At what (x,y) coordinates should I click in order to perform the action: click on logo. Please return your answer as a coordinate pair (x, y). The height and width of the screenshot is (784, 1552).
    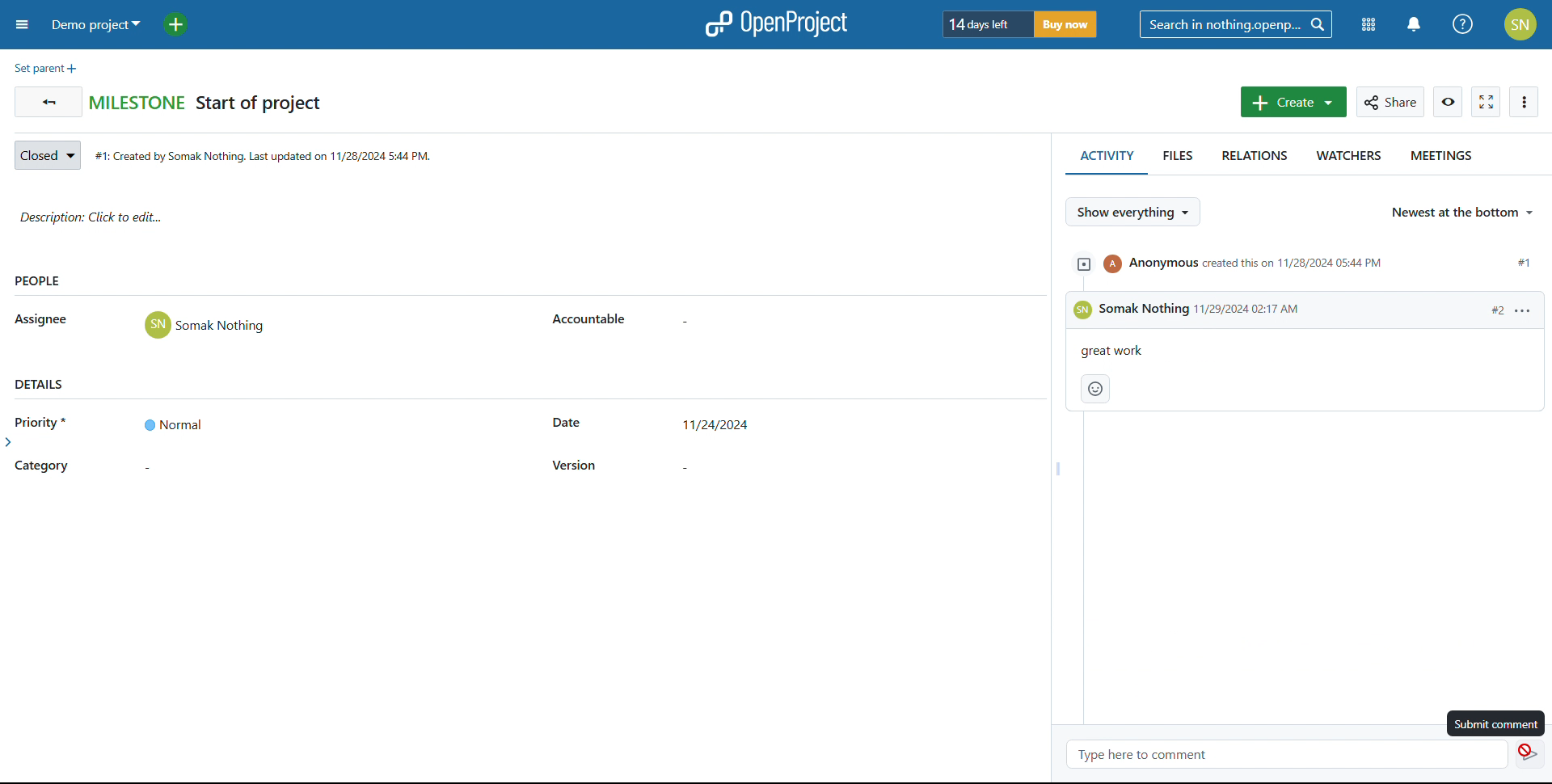
    Looking at the image, I should click on (774, 24).